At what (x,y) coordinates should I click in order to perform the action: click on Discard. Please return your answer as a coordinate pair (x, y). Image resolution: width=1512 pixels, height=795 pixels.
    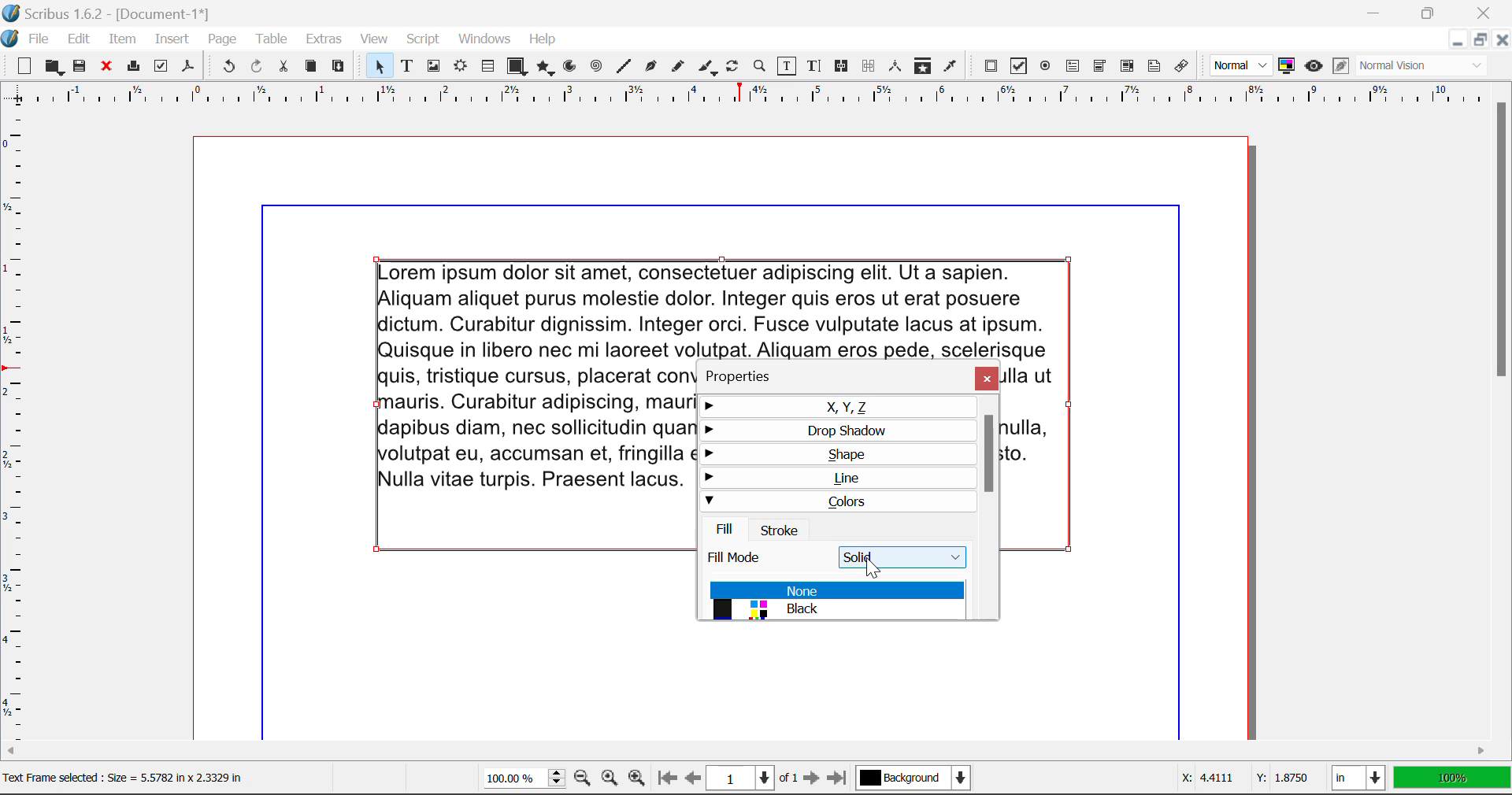
    Looking at the image, I should click on (106, 68).